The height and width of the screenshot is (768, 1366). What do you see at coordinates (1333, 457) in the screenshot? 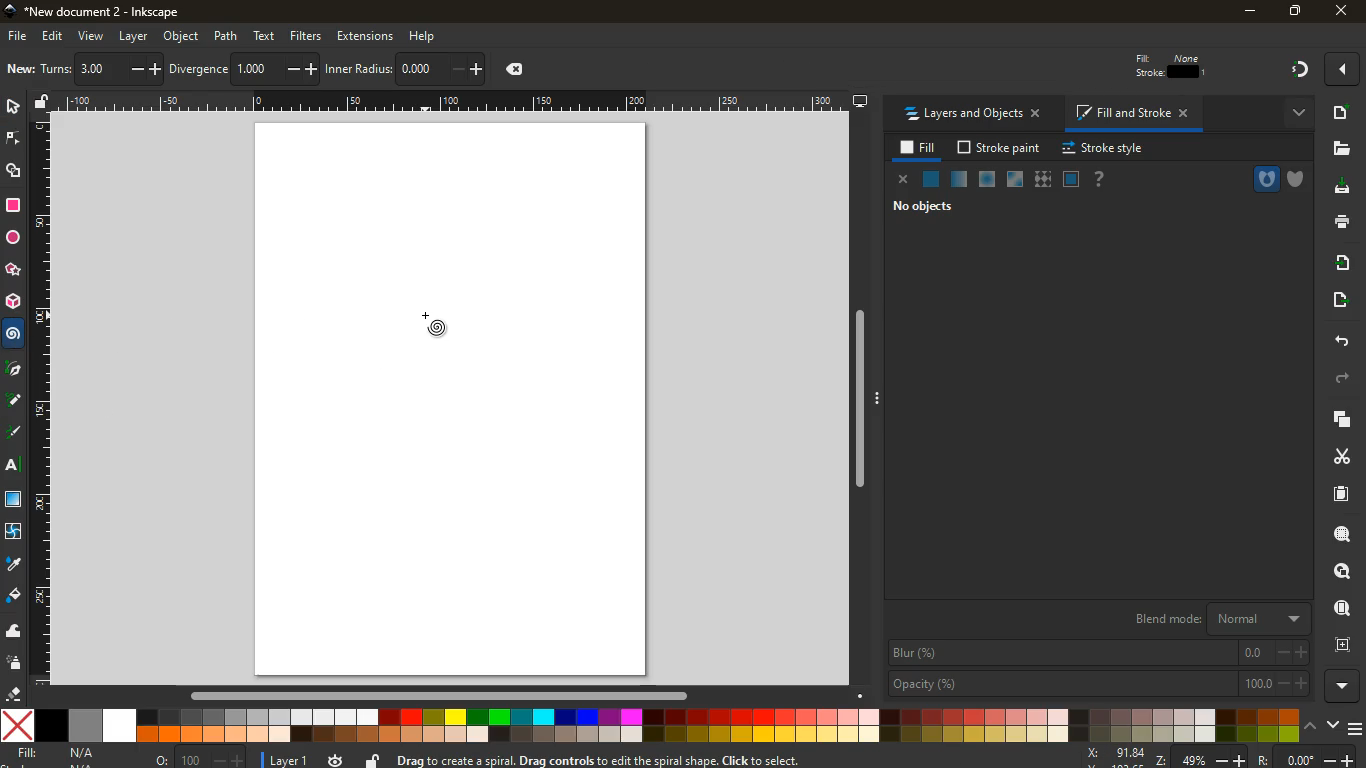
I see `cut` at bounding box center [1333, 457].